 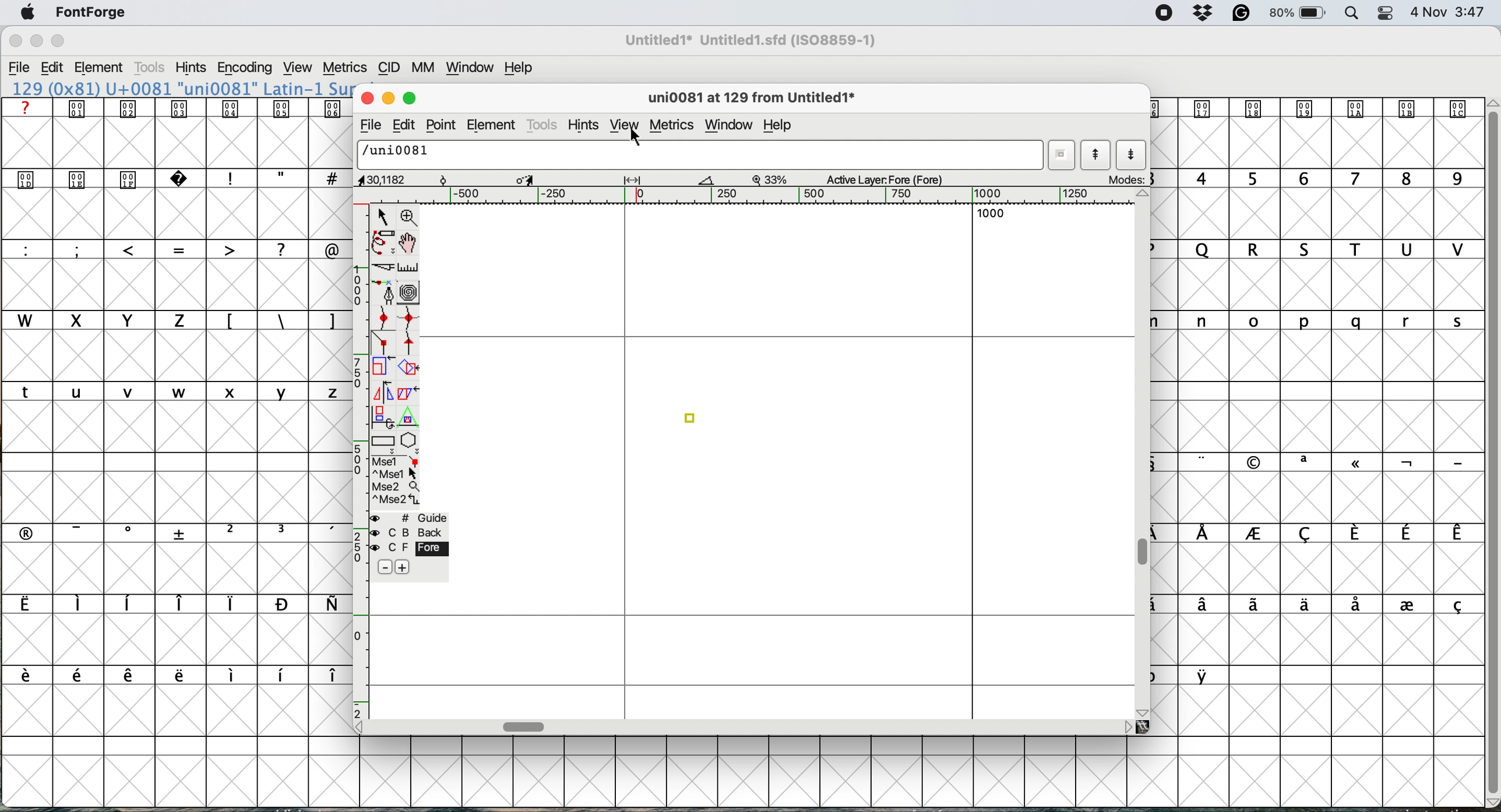 I want to click on rectangles and ellipses, so click(x=383, y=441).